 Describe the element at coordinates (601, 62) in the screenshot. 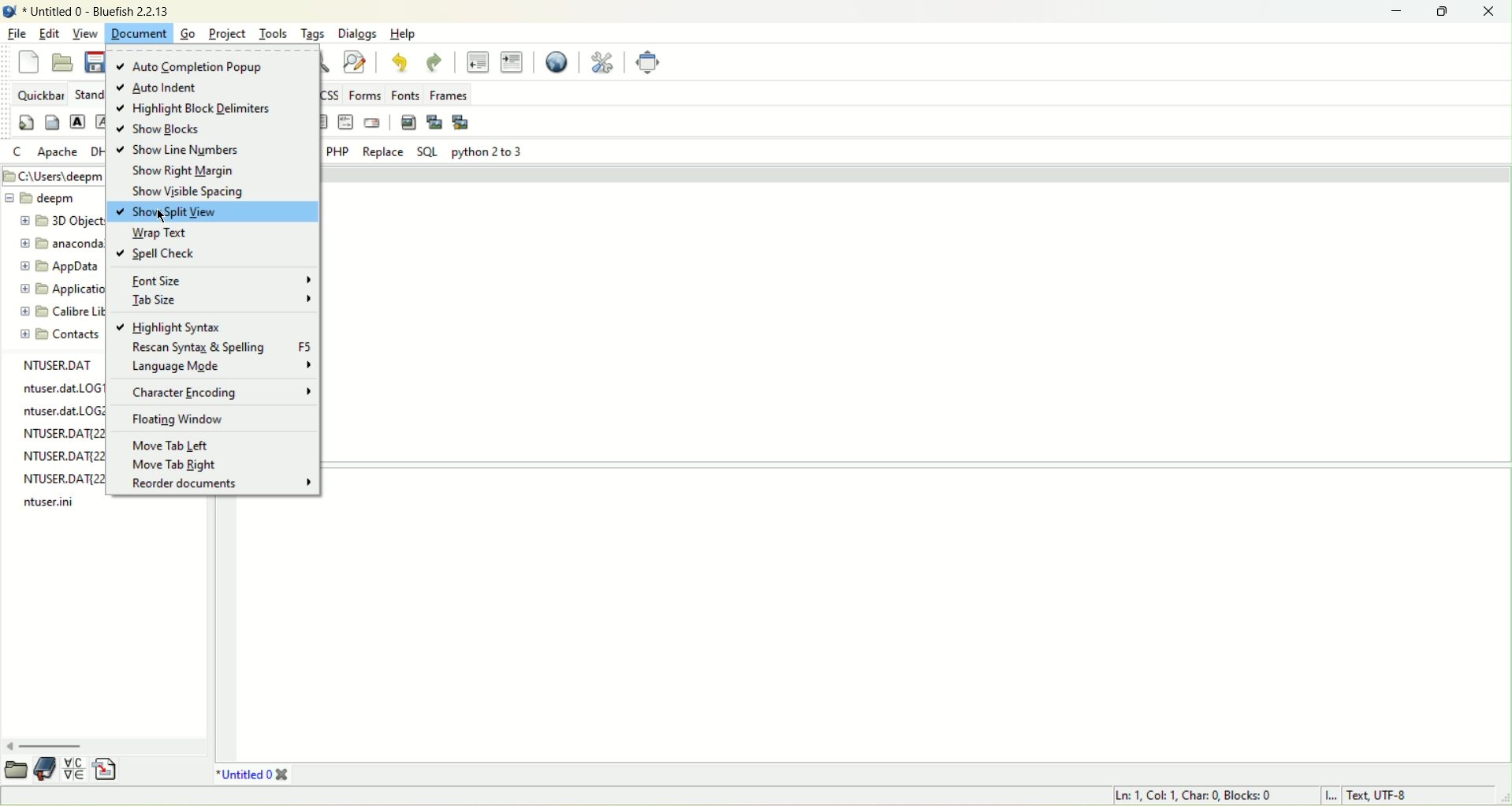

I see `preferences` at that location.